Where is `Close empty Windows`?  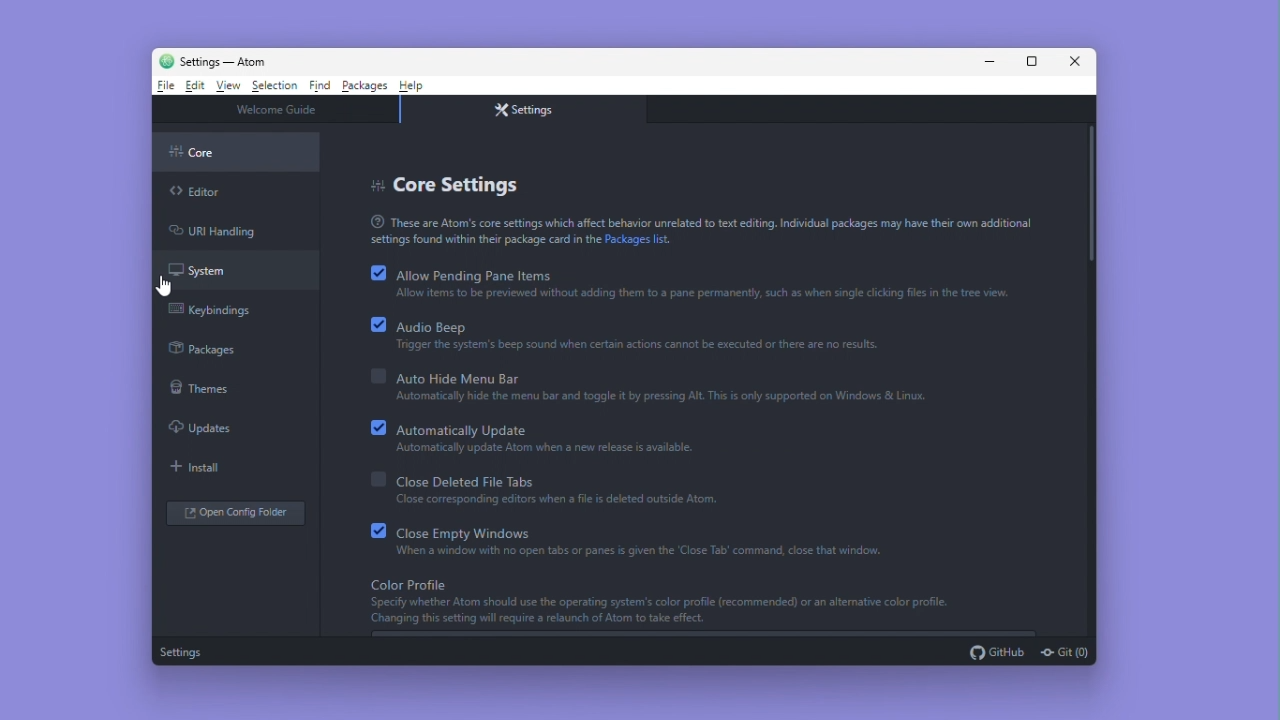 Close empty Windows is located at coordinates (452, 528).